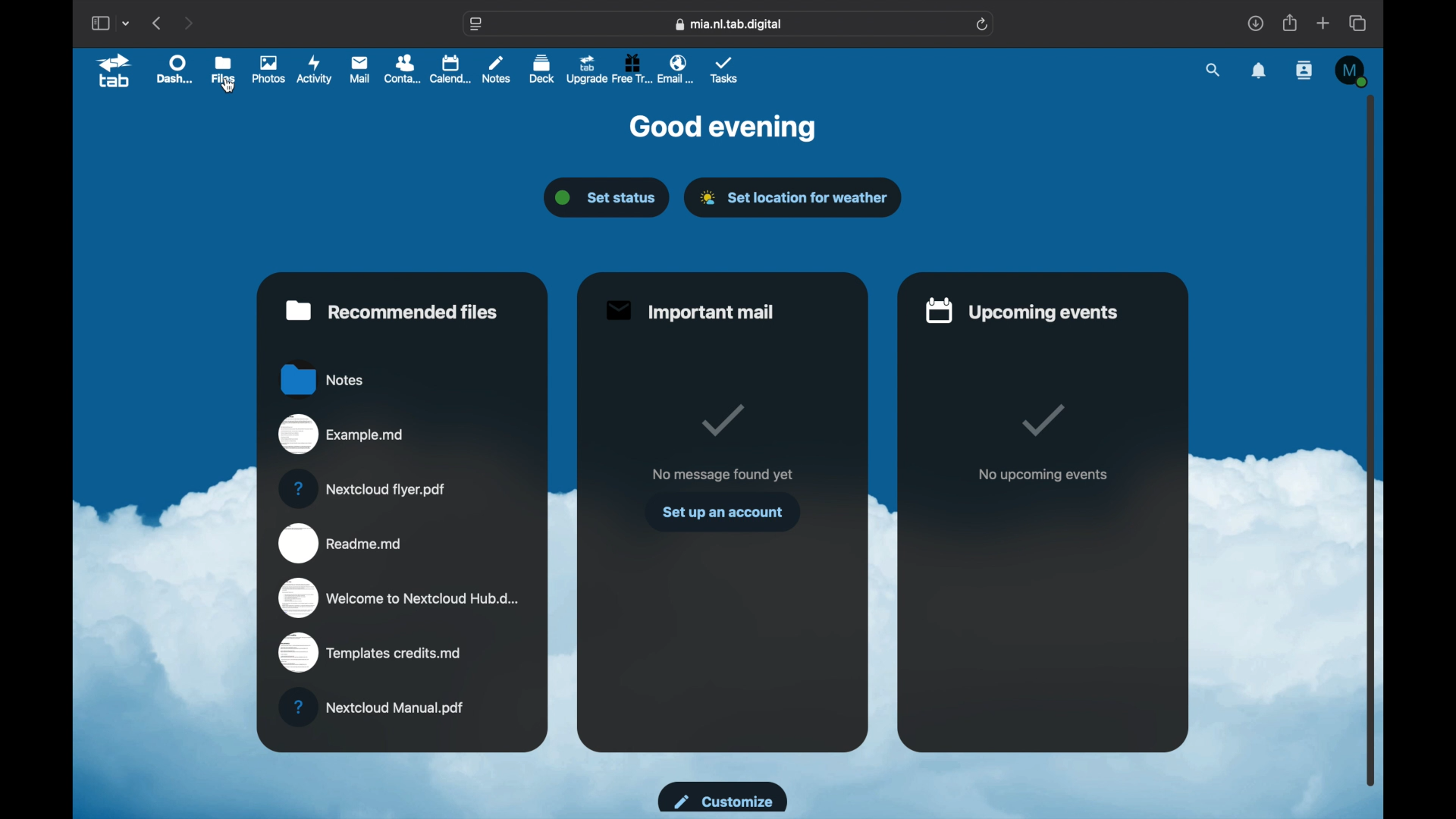 The image size is (1456, 819). What do you see at coordinates (1255, 23) in the screenshot?
I see `downloads` at bounding box center [1255, 23].